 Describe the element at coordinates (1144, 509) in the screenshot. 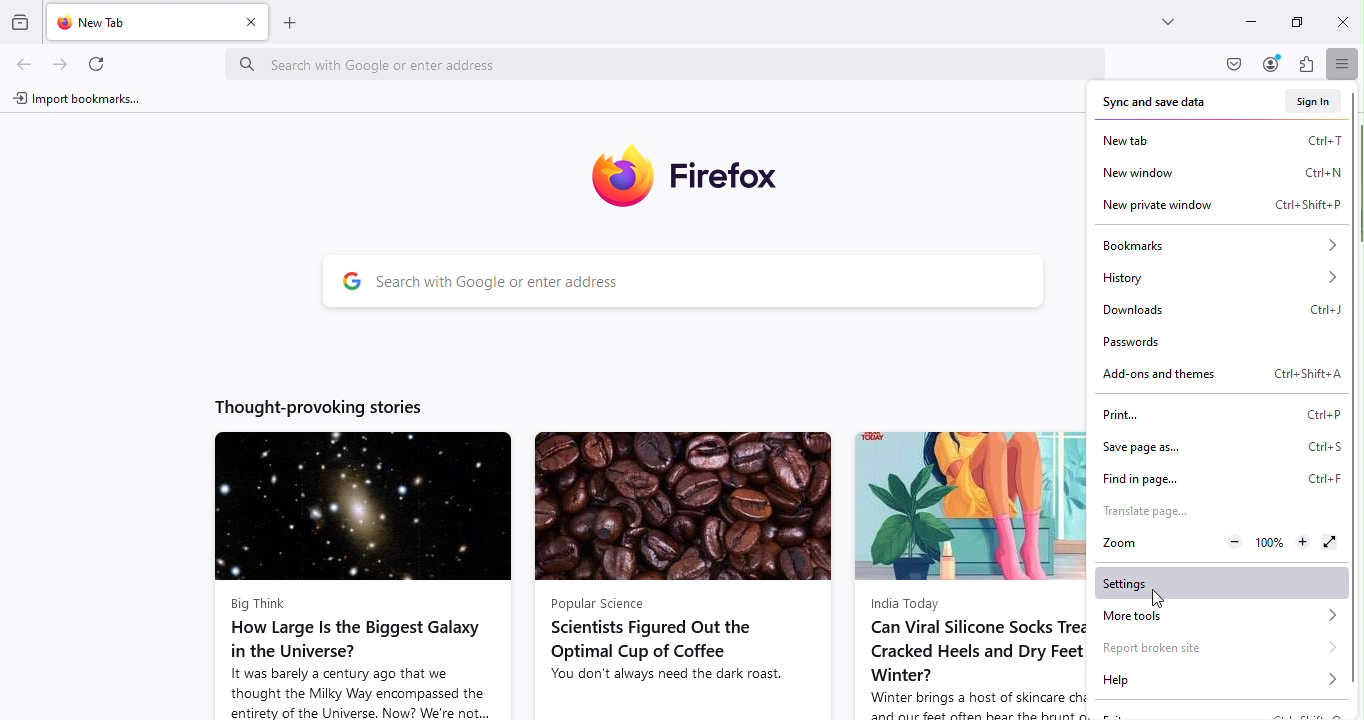

I see `Translate page` at that location.